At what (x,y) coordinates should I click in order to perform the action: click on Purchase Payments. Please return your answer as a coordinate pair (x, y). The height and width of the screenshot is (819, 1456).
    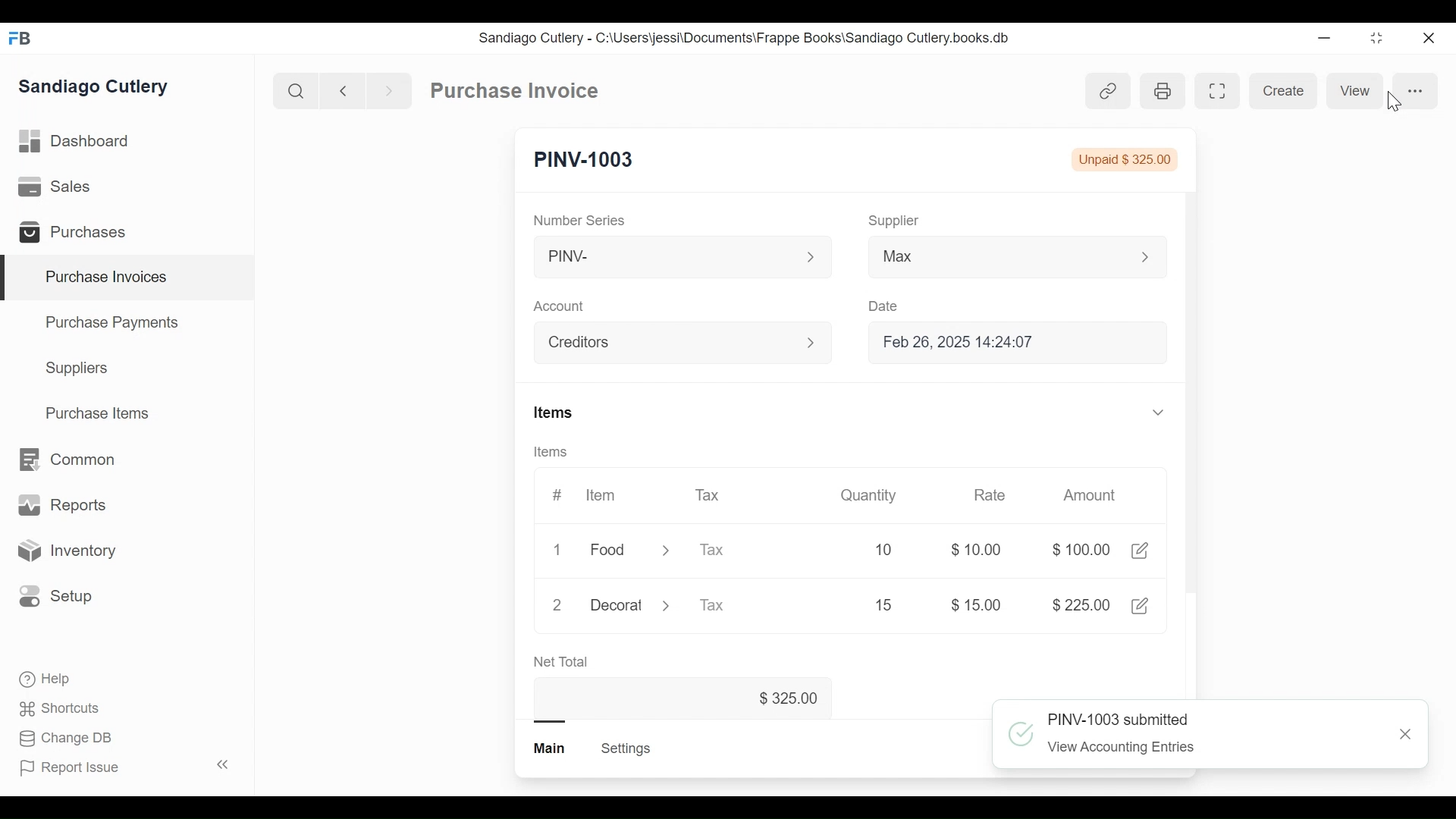
    Looking at the image, I should click on (115, 325).